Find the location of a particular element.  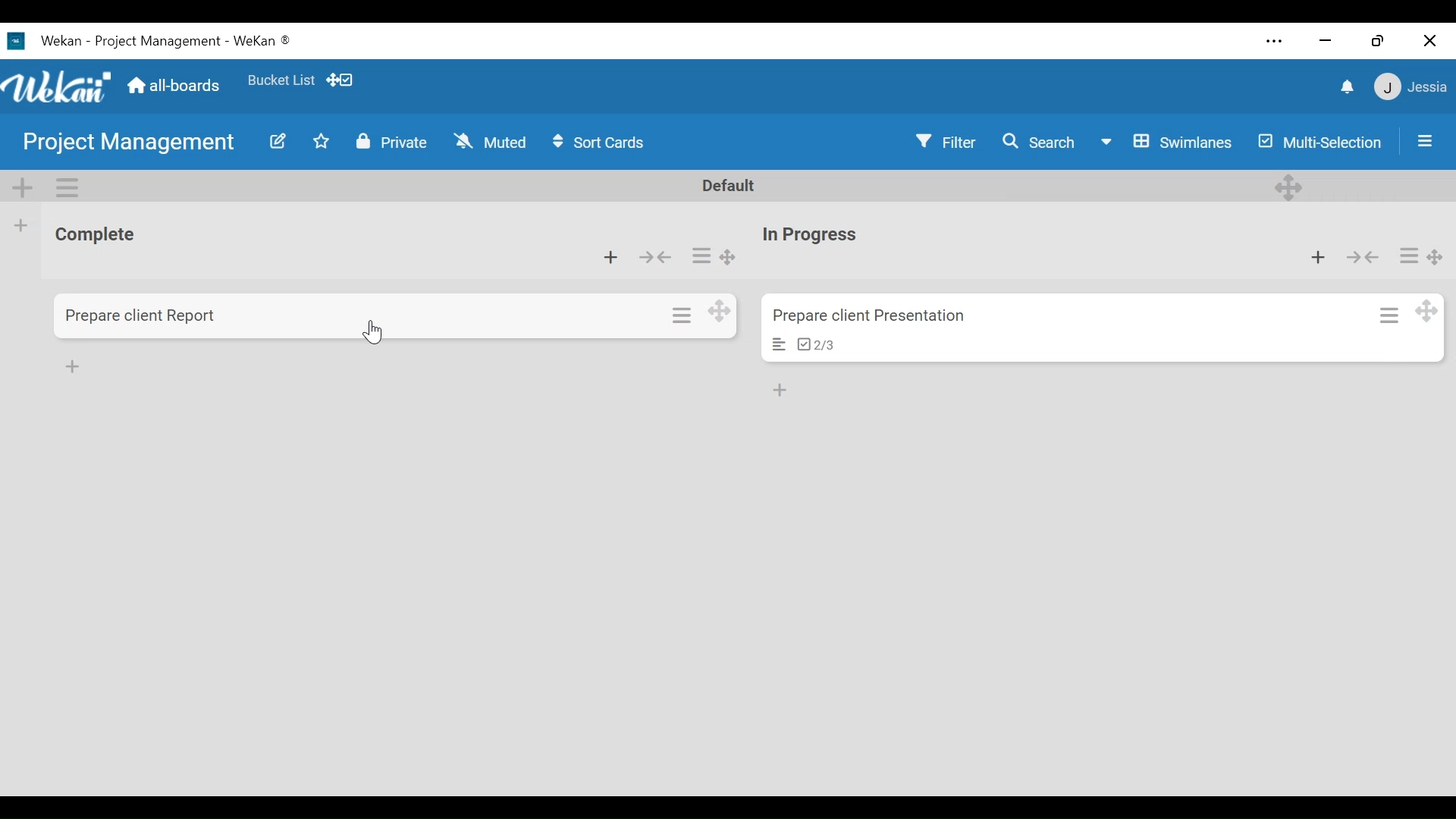

 is located at coordinates (700, 257).